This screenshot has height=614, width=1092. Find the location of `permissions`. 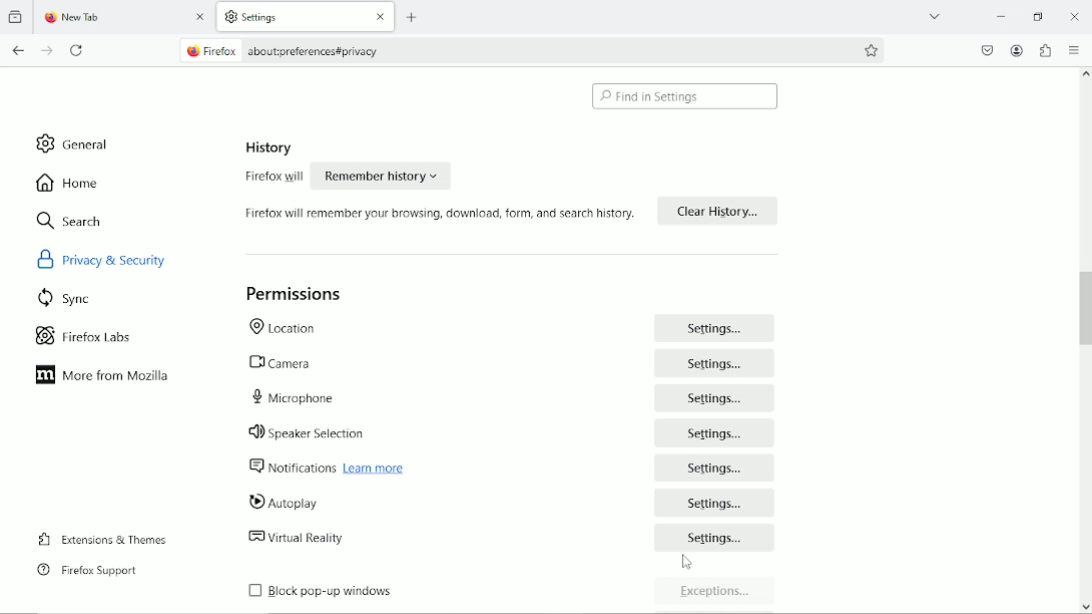

permissions is located at coordinates (296, 294).